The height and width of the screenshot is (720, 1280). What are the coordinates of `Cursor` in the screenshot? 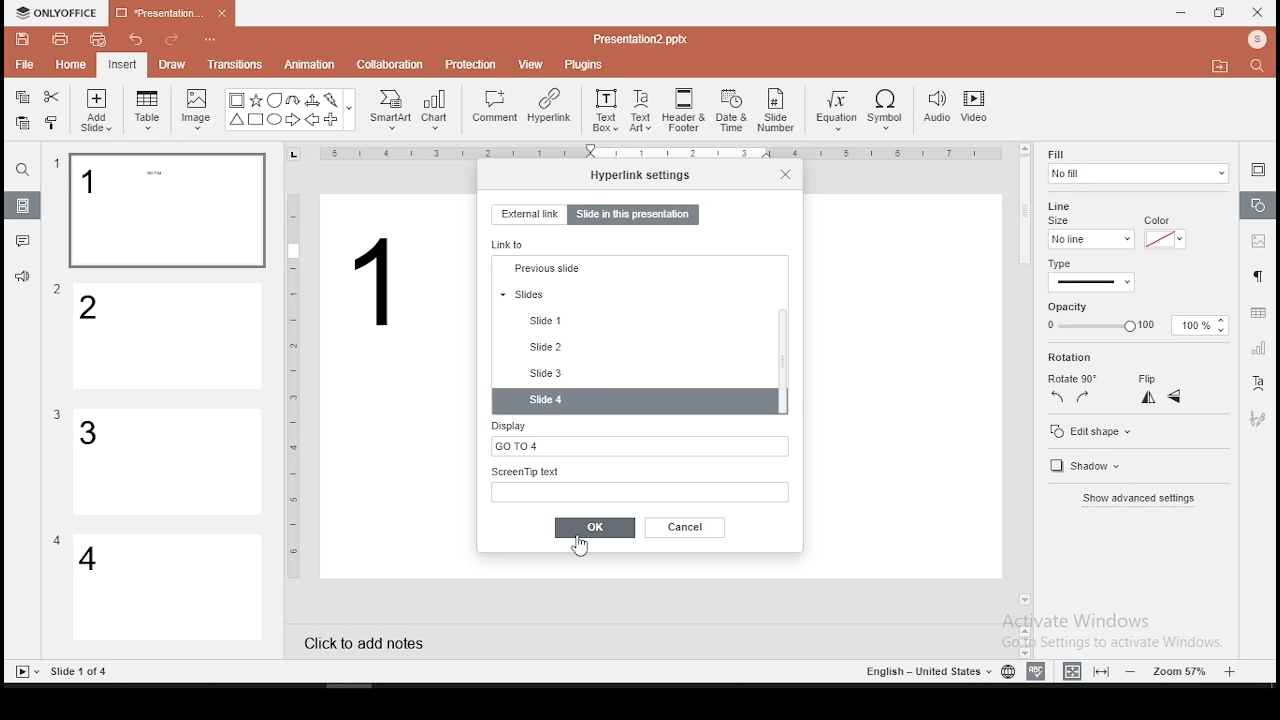 It's located at (579, 552).